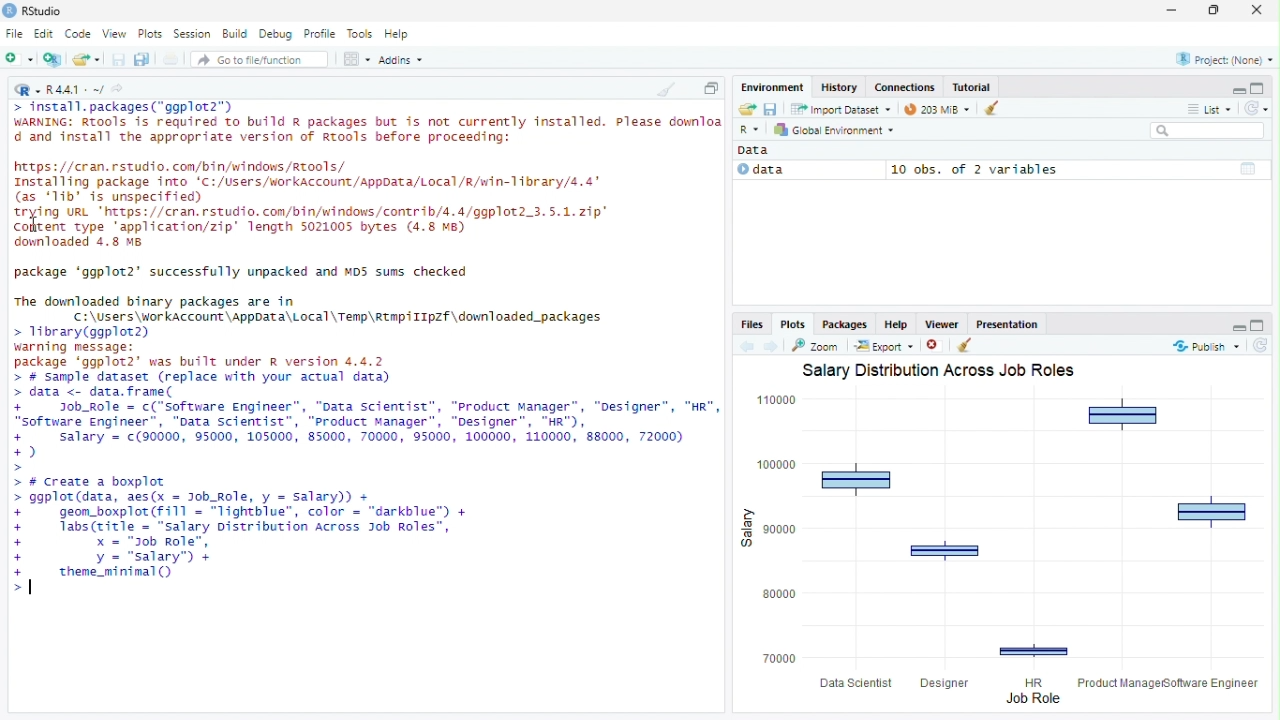  I want to click on Plots, so click(153, 33).